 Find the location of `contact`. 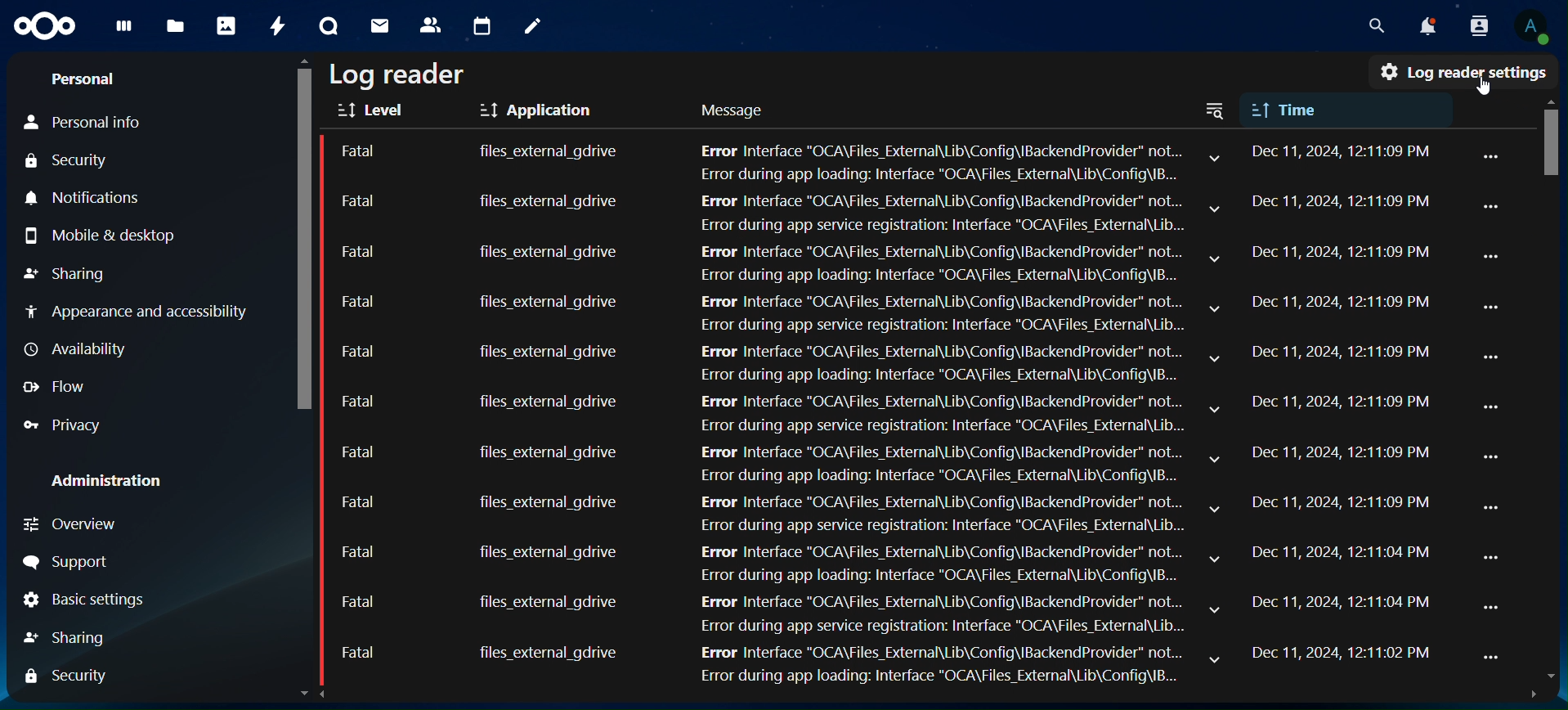

contact is located at coordinates (432, 25).